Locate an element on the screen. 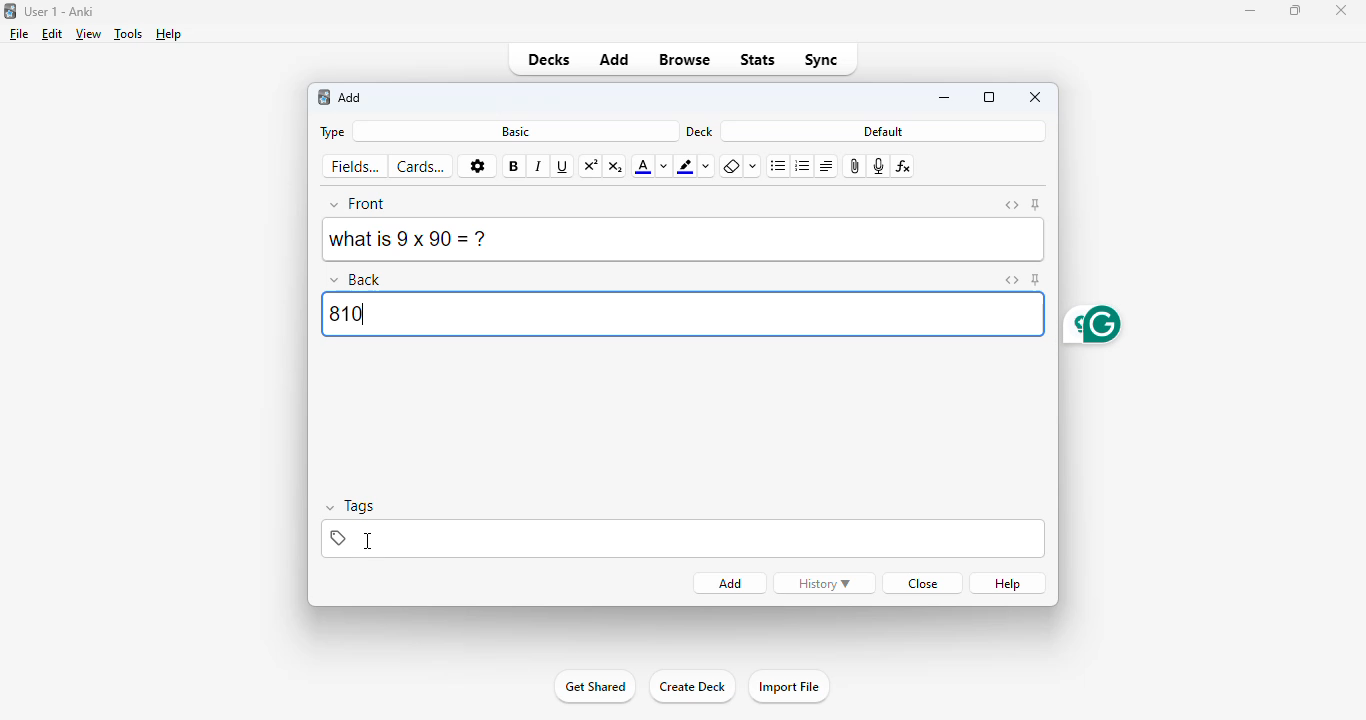 The height and width of the screenshot is (720, 1366). basic is located at coordinates (515, 131).